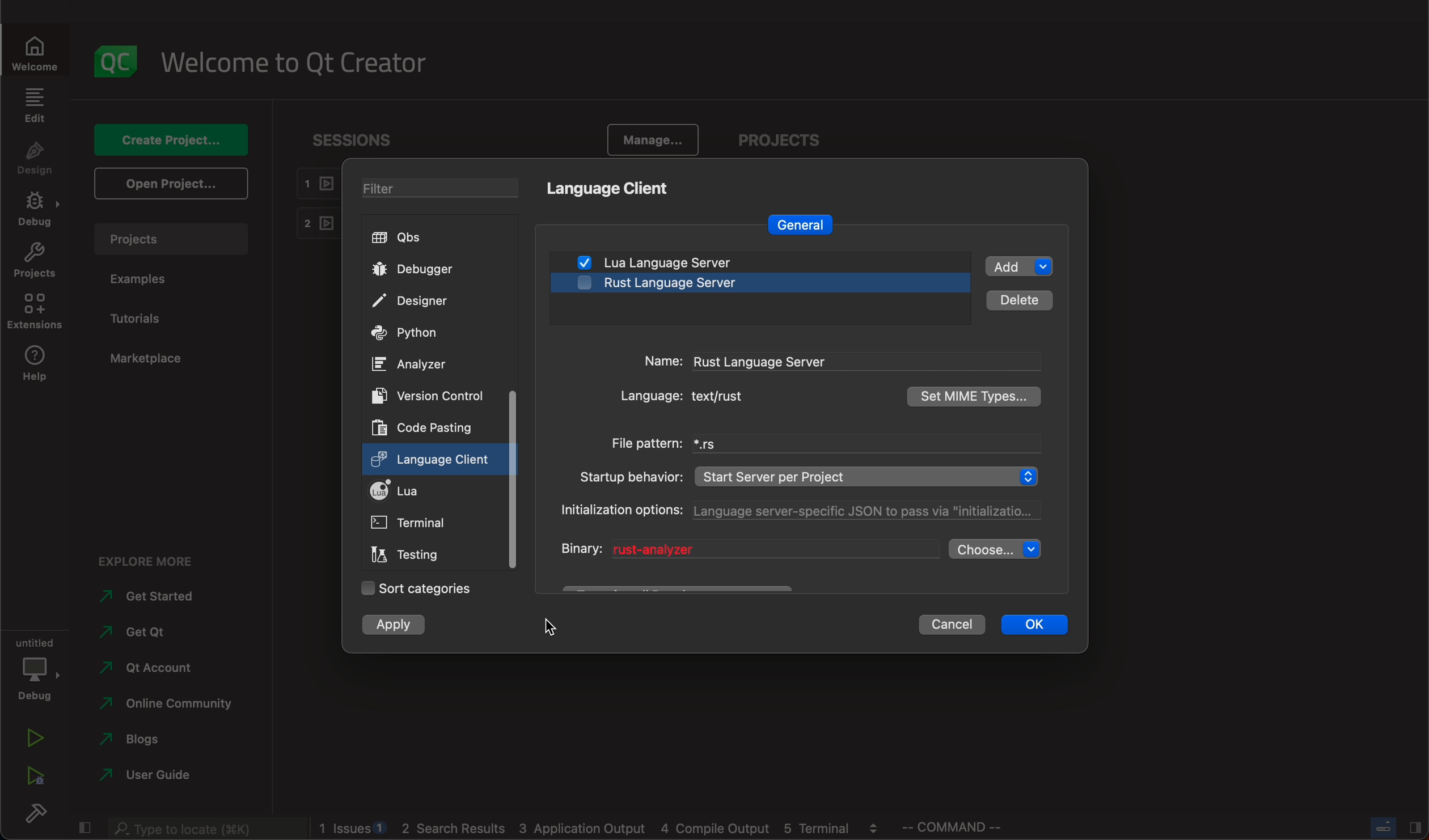  I want to click on terminal, so click(408, 524).